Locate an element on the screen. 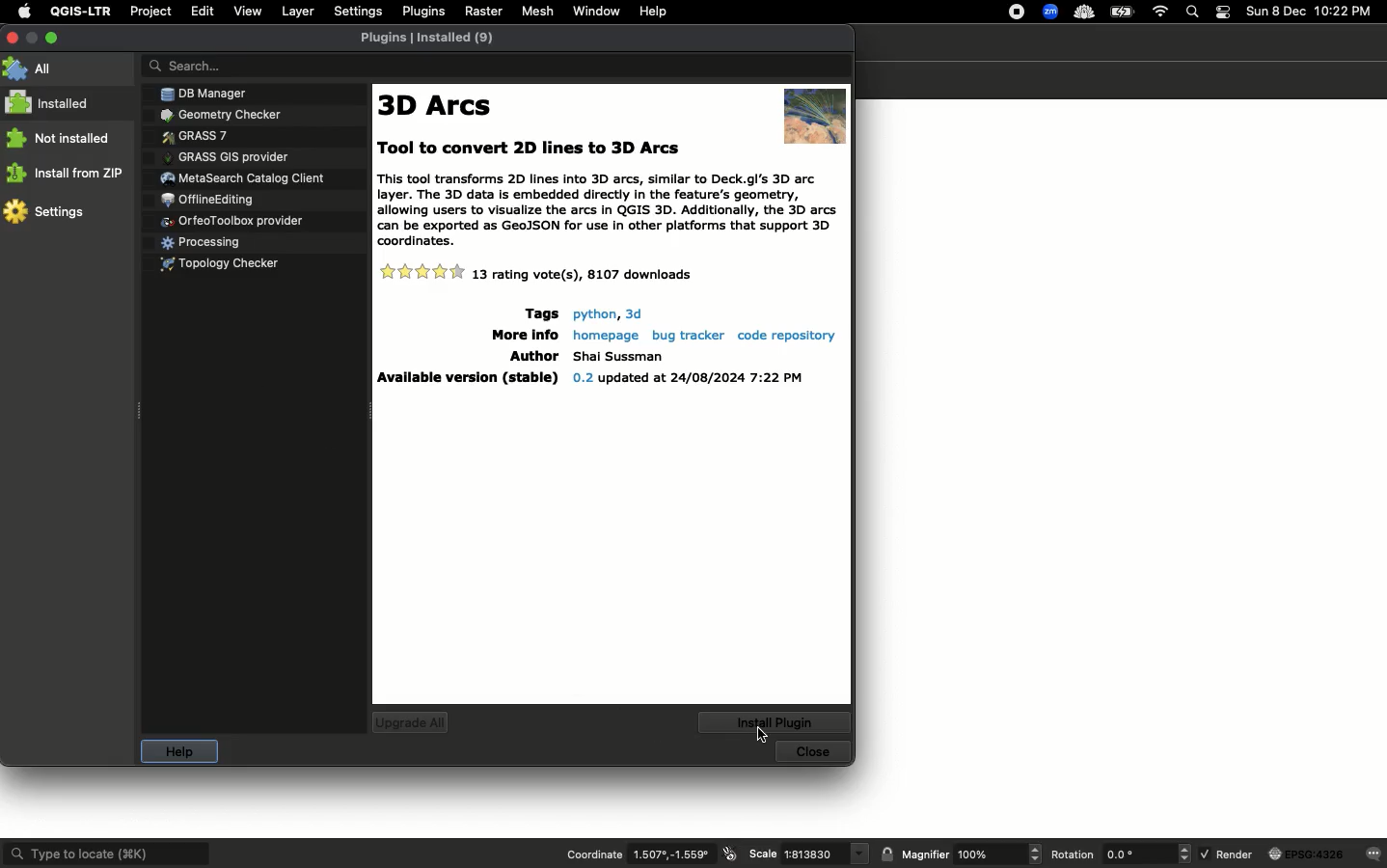 This screenshot has width=1387, height=868. Project is located at coordinates (150, 13).